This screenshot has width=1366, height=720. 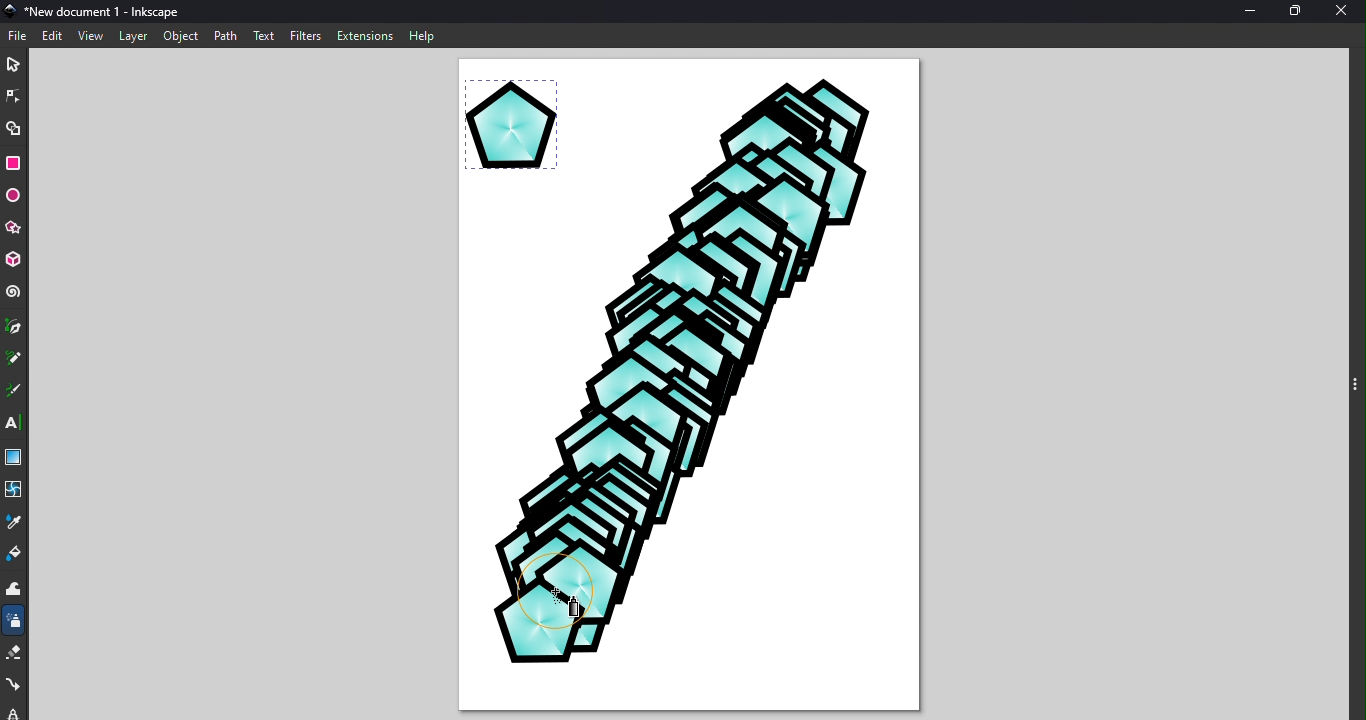 I want to click on Edit, so click(x=50, y=35).